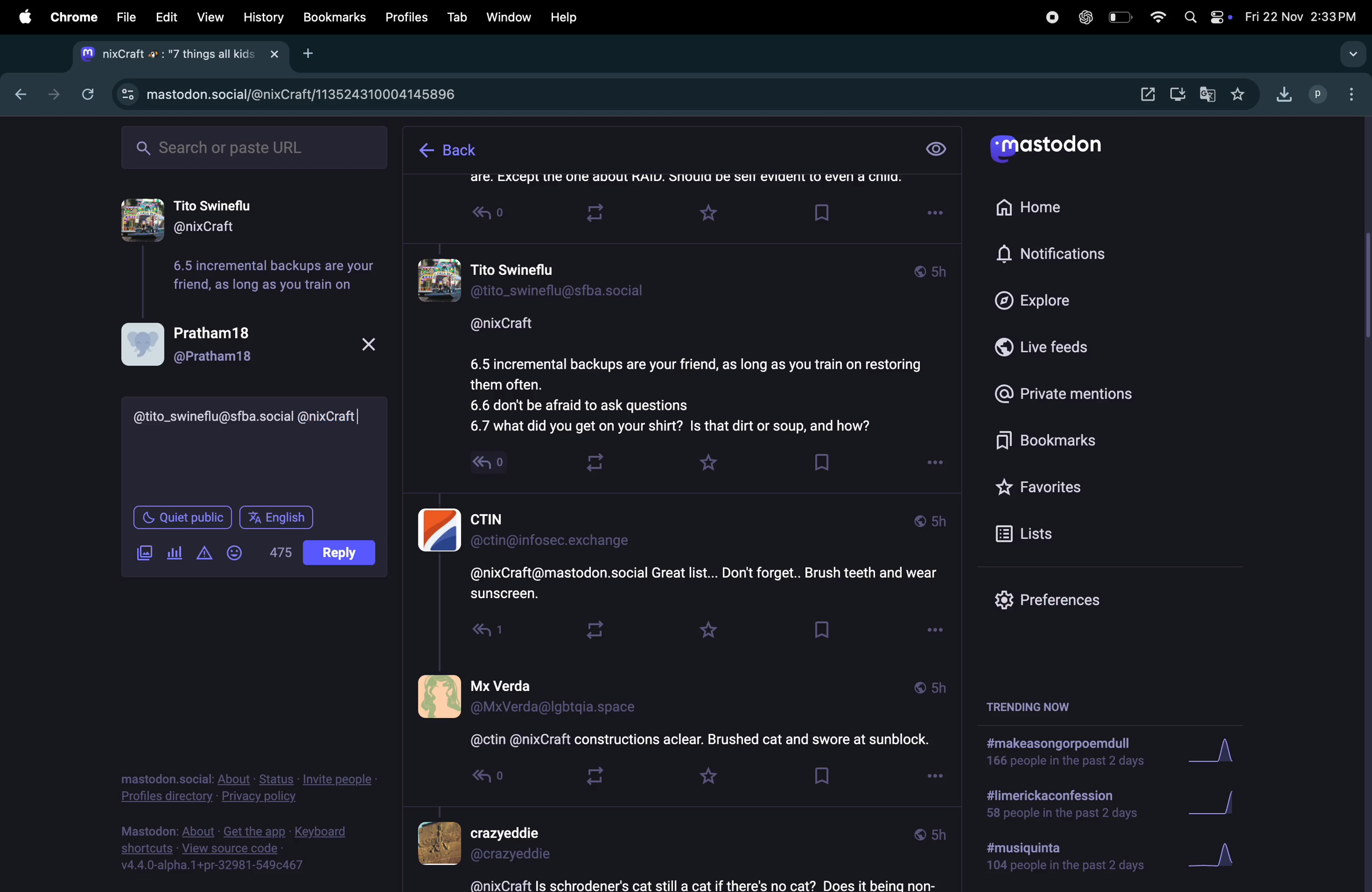  I want to click on graph, so click(1224, 857).